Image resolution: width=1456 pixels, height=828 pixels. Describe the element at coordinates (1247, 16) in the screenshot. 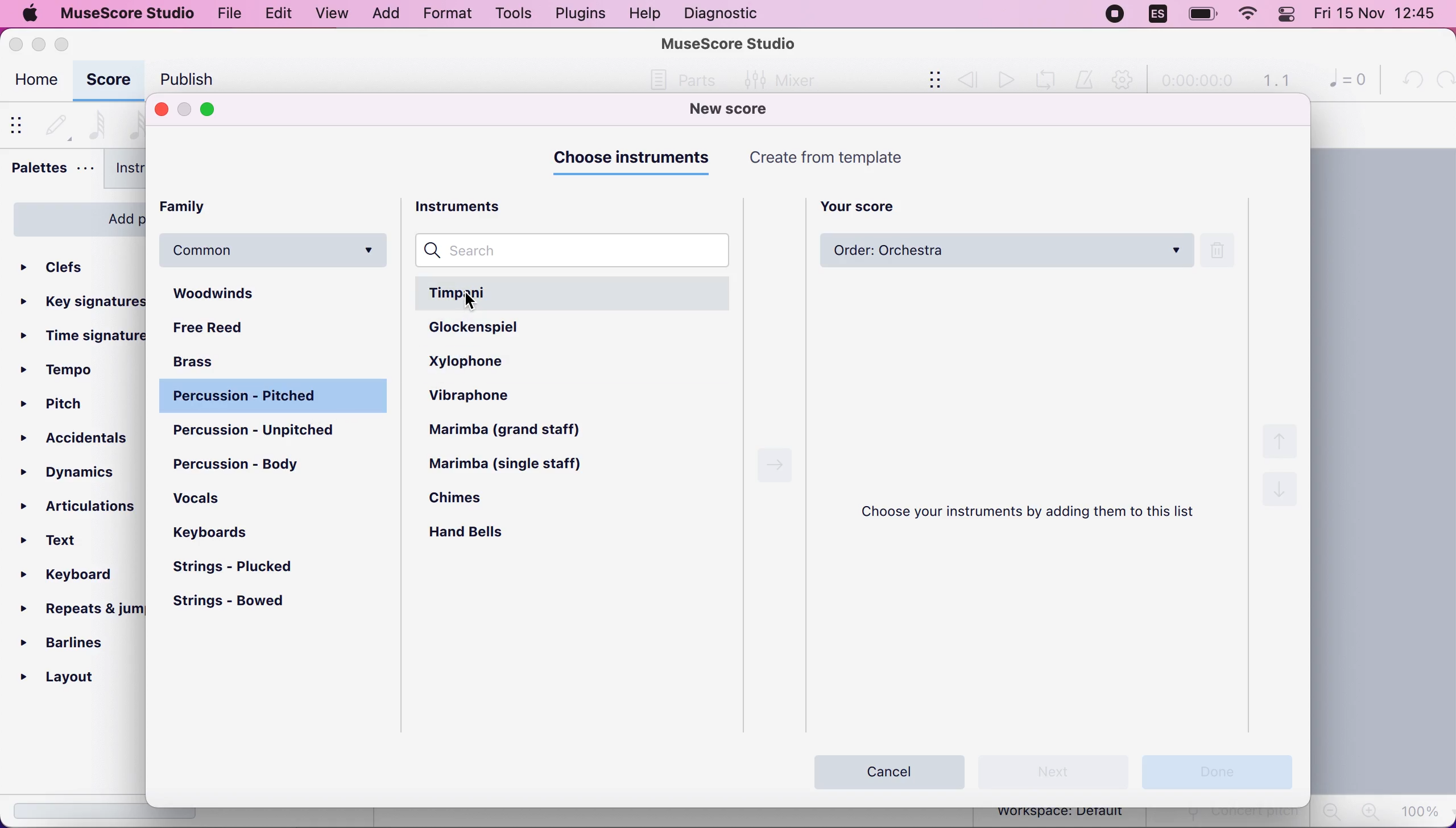

I see `wifi` at that location.